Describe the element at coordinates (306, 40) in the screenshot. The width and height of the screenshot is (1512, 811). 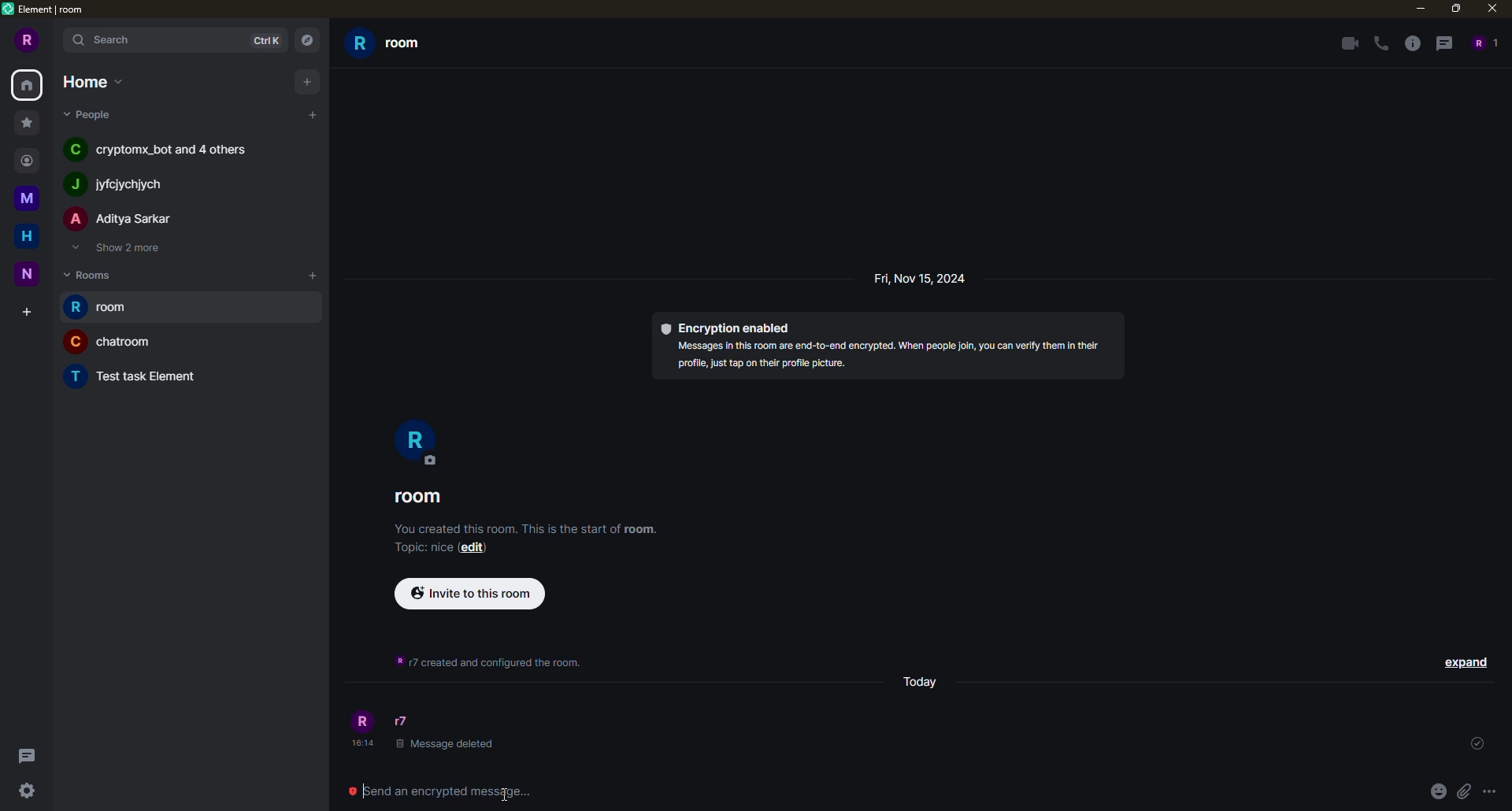
I see `navigator` at that location.